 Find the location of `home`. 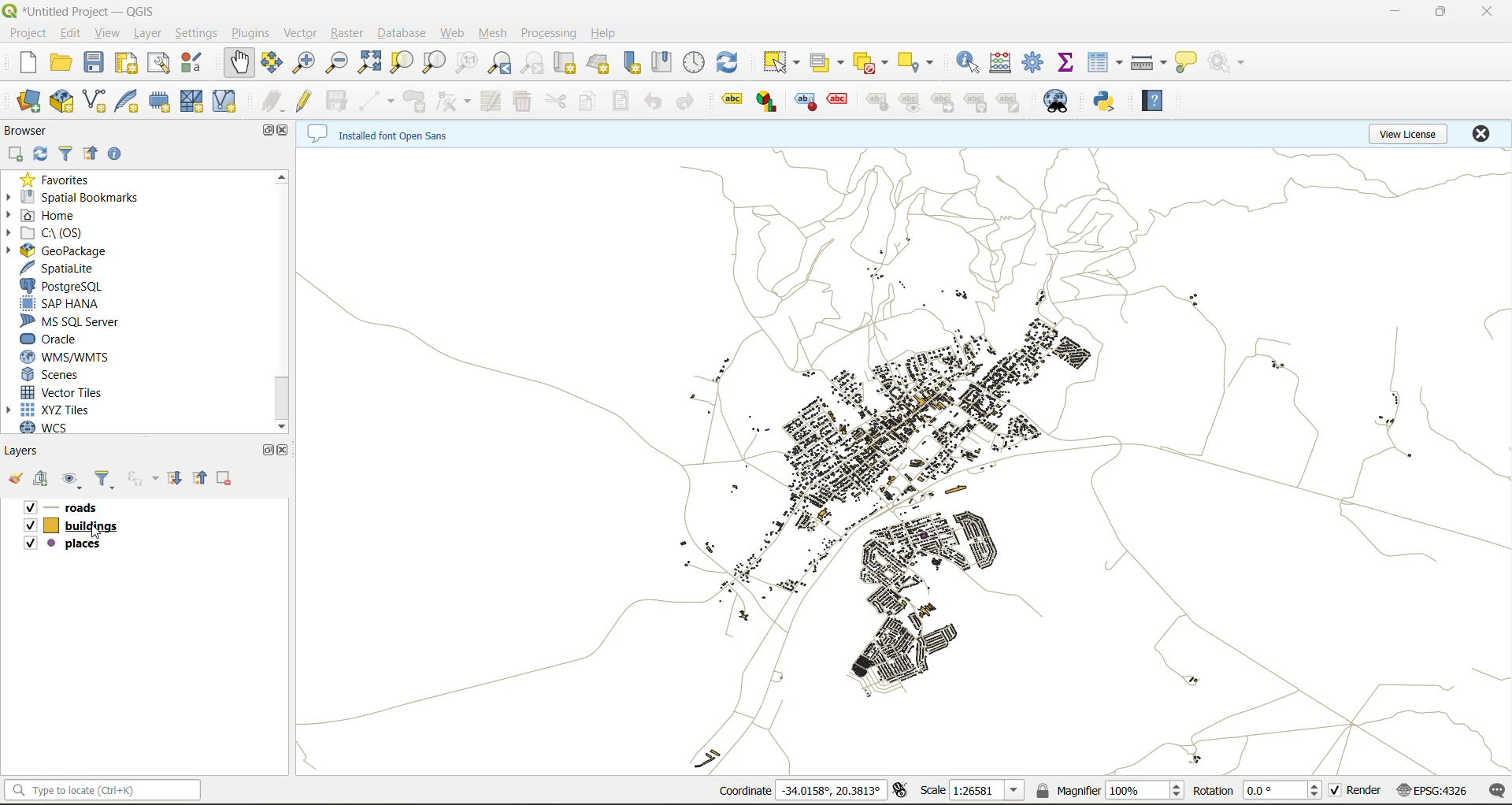

home is located at coordinates (65, 216).